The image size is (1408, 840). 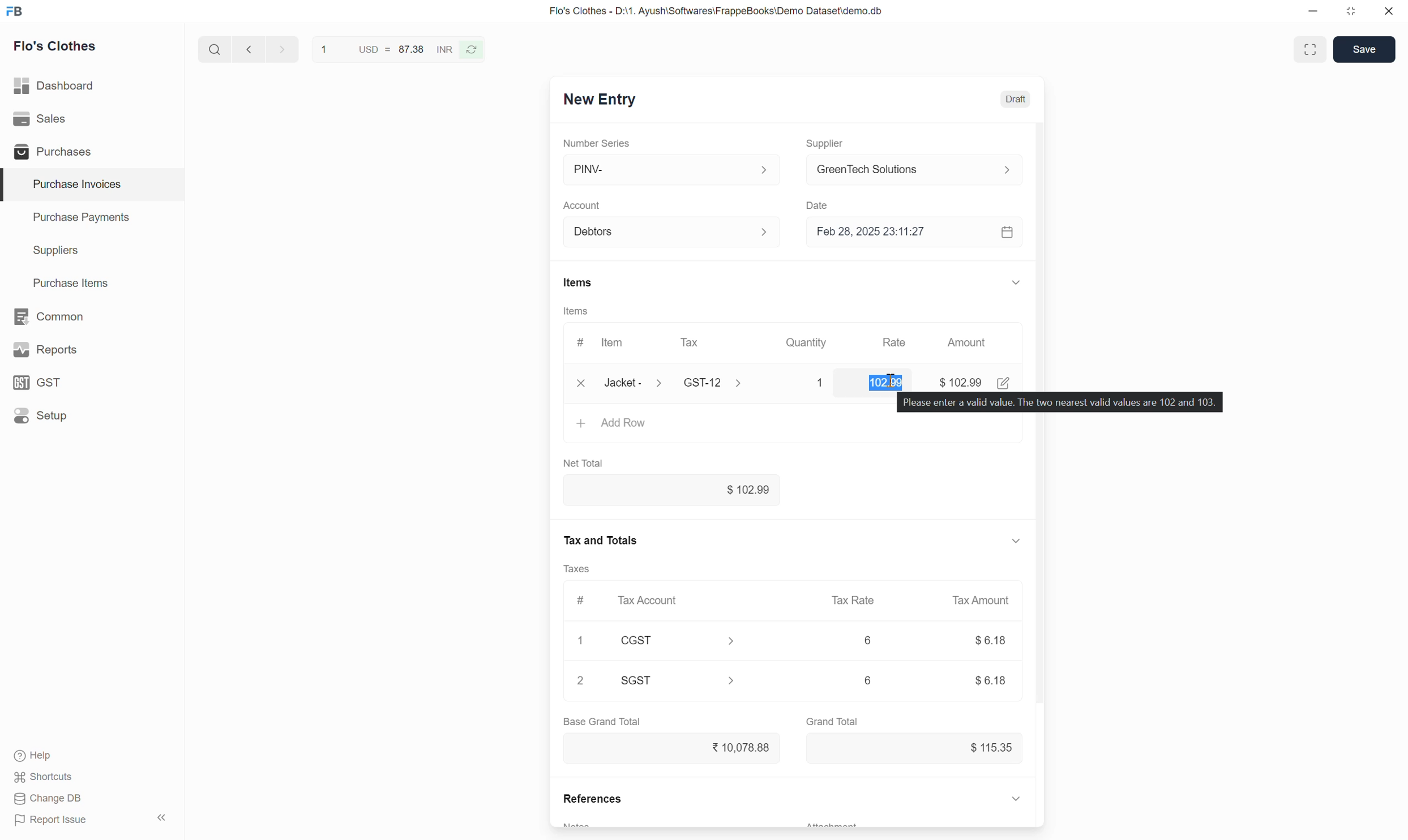 What do you see at coordinates (674, 169) in the screenshot?
I see `PINV-` at bounding box center [674, 169].